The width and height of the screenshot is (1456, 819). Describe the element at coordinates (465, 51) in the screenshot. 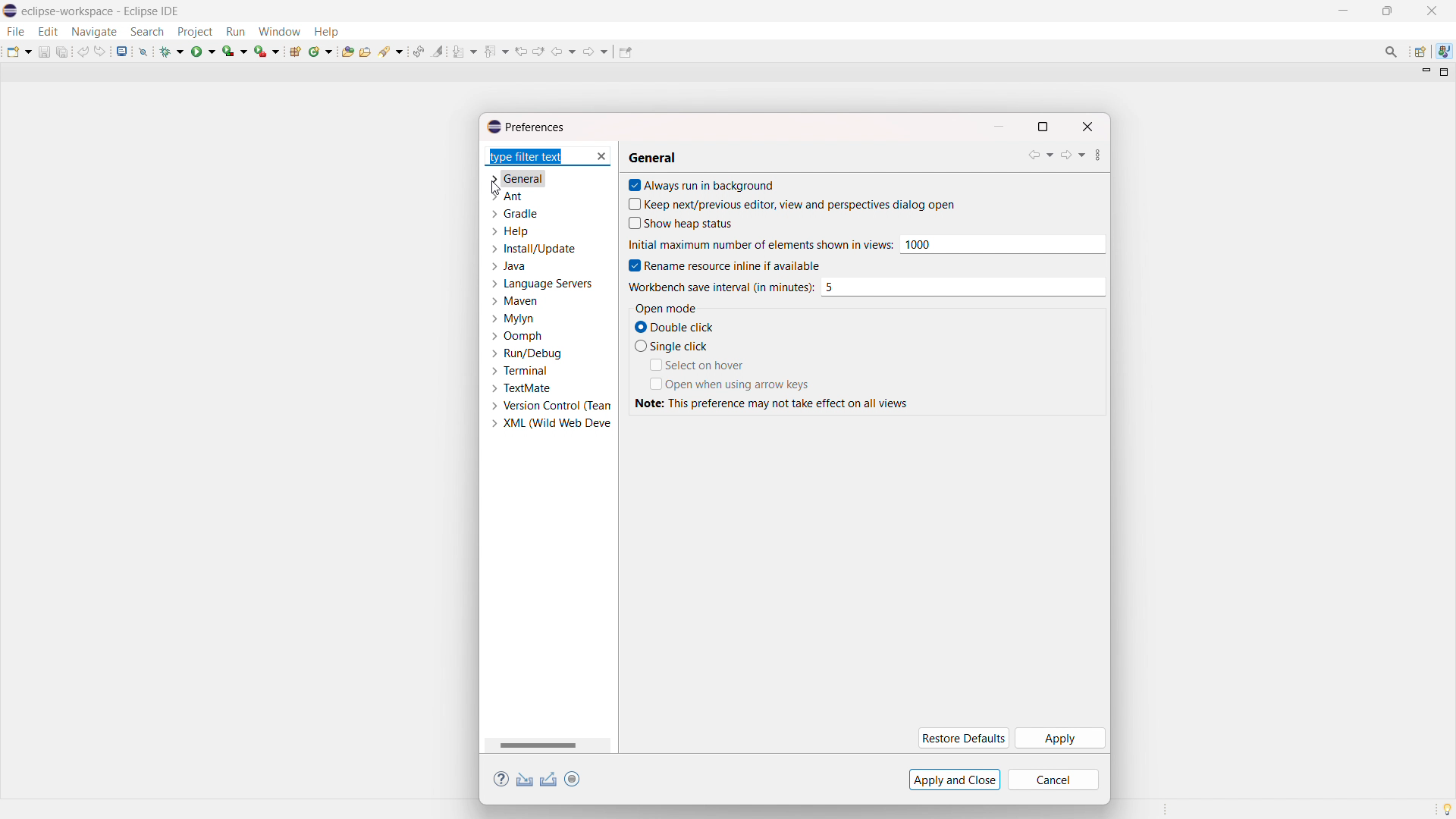

I see `next annotation` at that location.